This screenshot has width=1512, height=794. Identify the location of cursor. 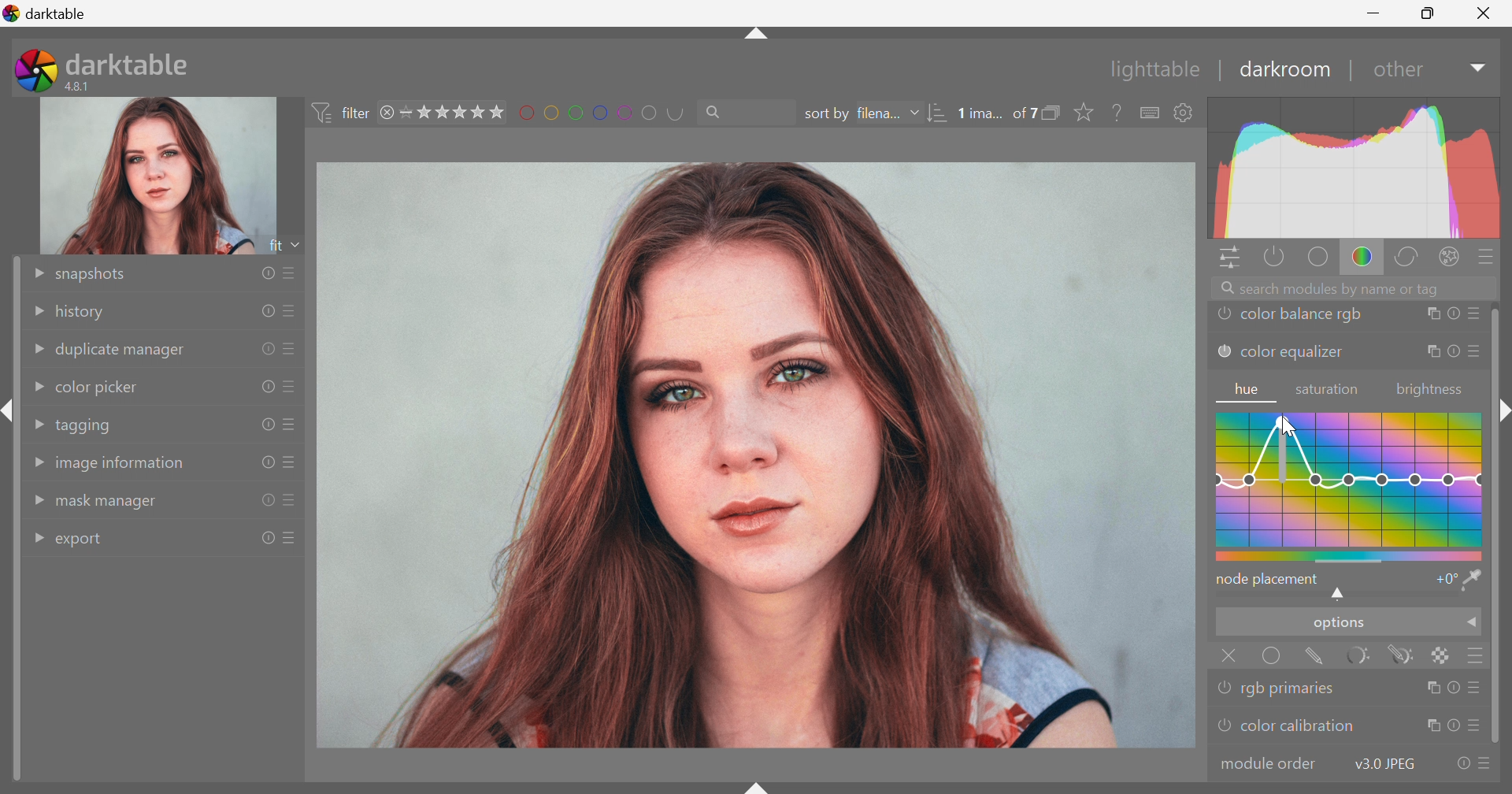
(1288, 428).